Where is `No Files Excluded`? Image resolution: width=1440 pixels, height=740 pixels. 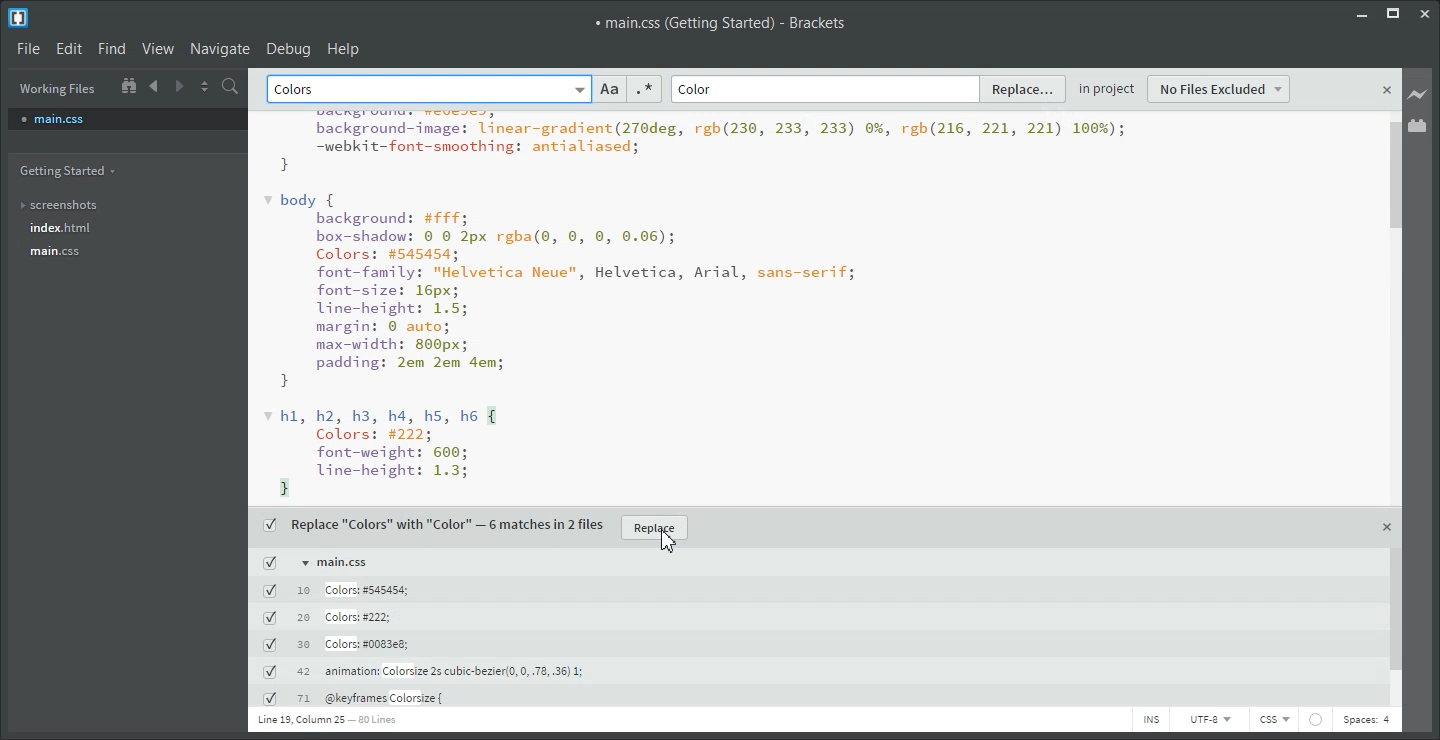
No Files Excluded is located at coordinates (1220, 89).